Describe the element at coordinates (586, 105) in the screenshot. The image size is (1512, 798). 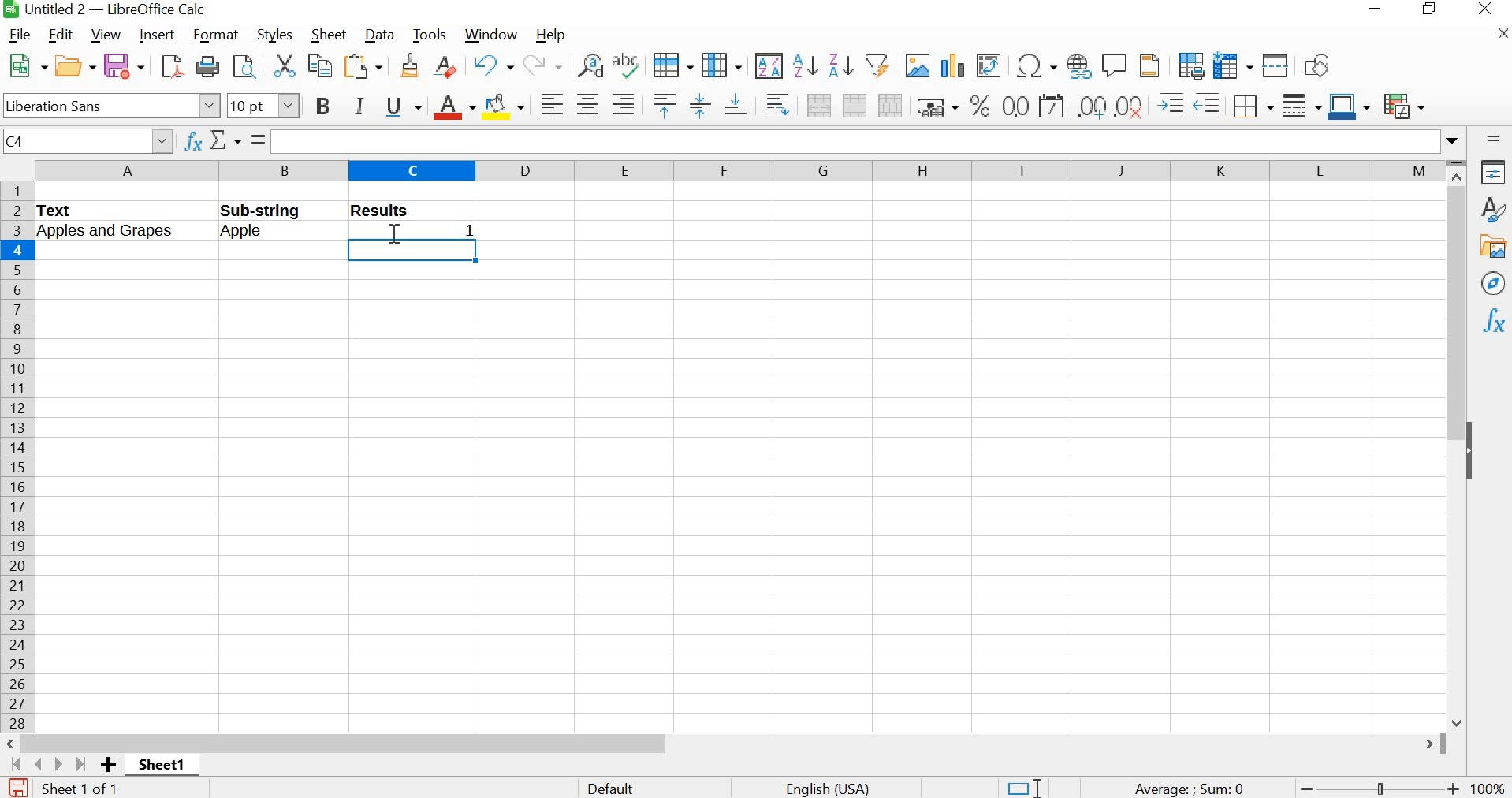
I see `align center` at that location.